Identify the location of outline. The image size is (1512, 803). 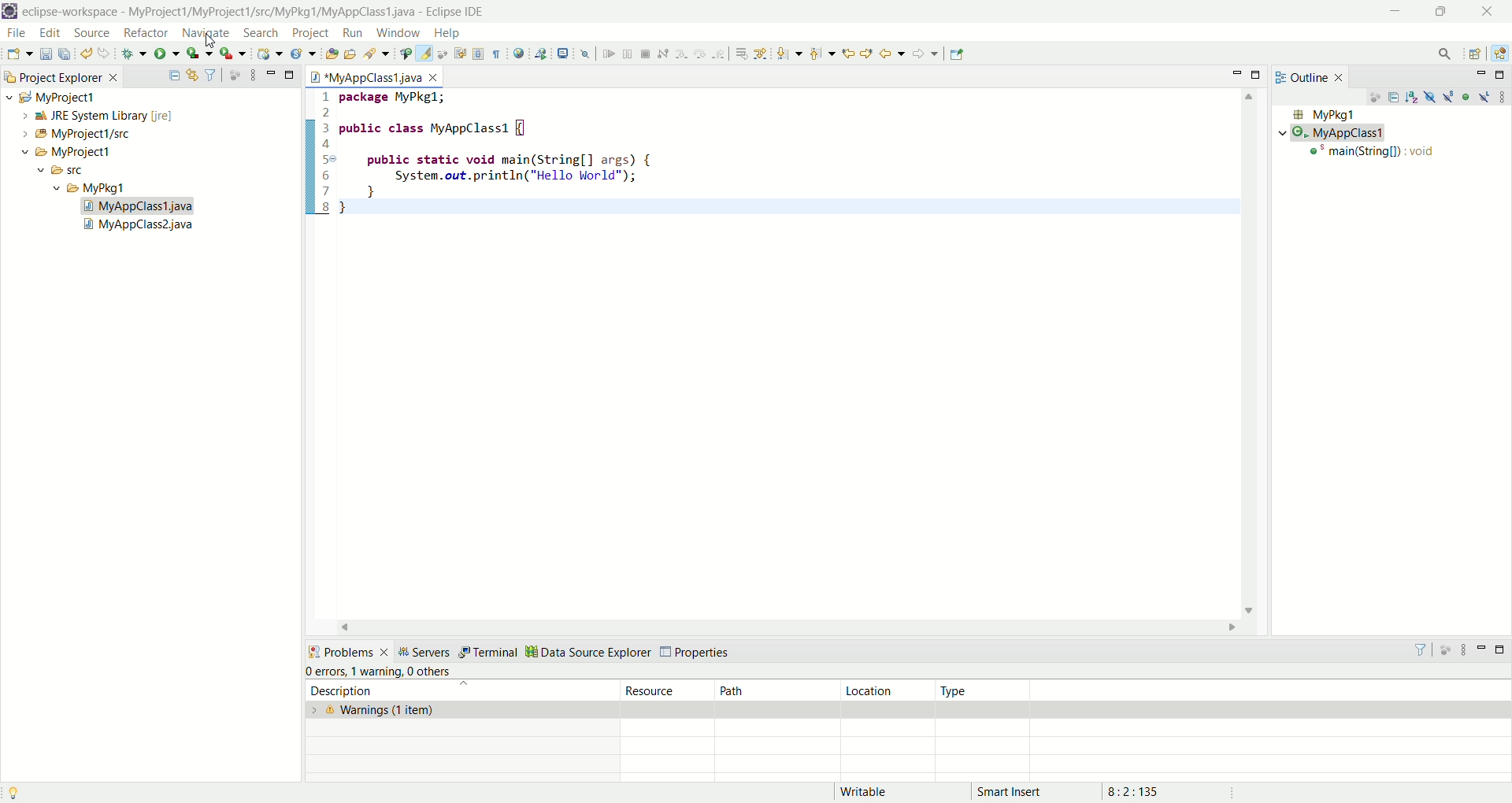
(1313, 76).